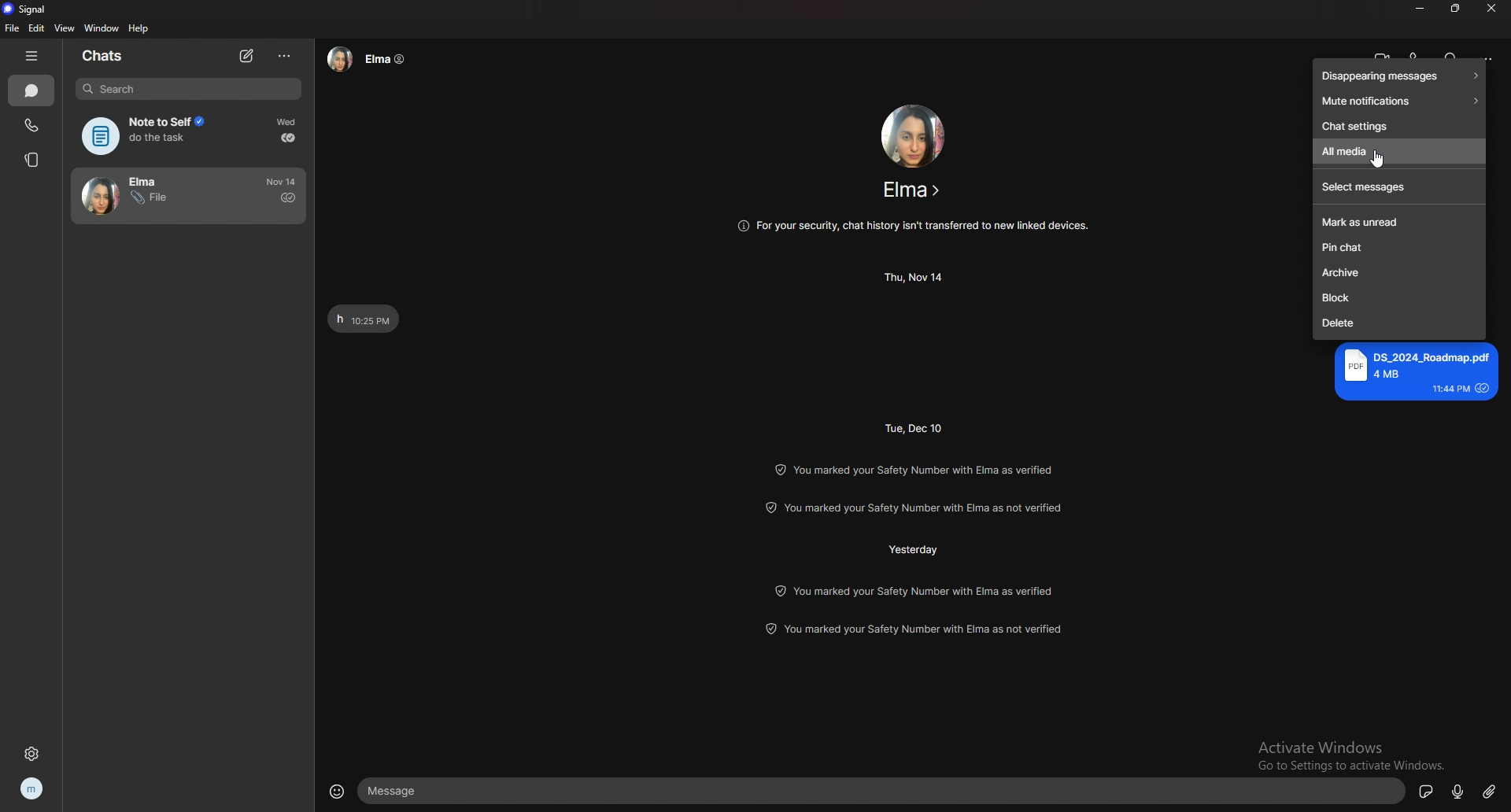 Image resolution: width=1511 pixels, height=812 pixels. Describe the element at coordinates (916, 590) in the screenshot. I see `info` at that location.